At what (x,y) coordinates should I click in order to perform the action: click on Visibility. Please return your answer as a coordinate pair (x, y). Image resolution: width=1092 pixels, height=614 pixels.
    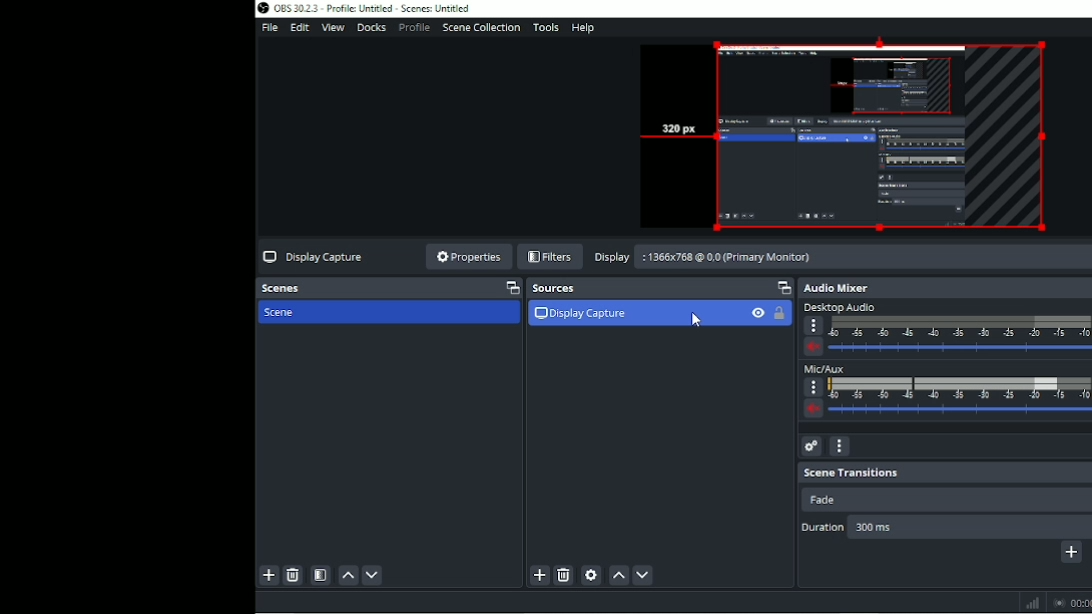
    Looking at the image, I should click on (757, 314).